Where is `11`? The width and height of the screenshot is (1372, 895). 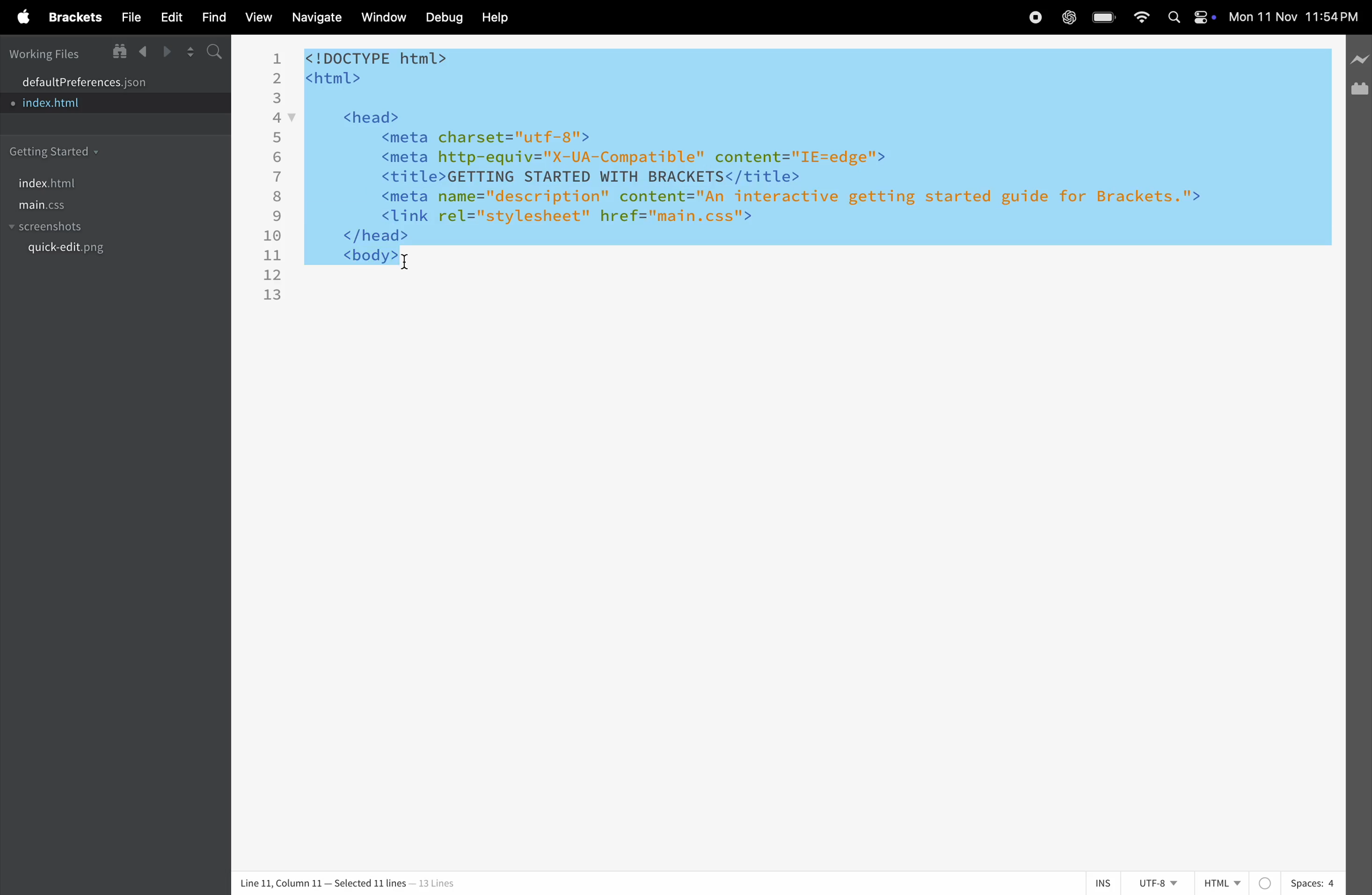 11 is located at coordinates (272, 255).